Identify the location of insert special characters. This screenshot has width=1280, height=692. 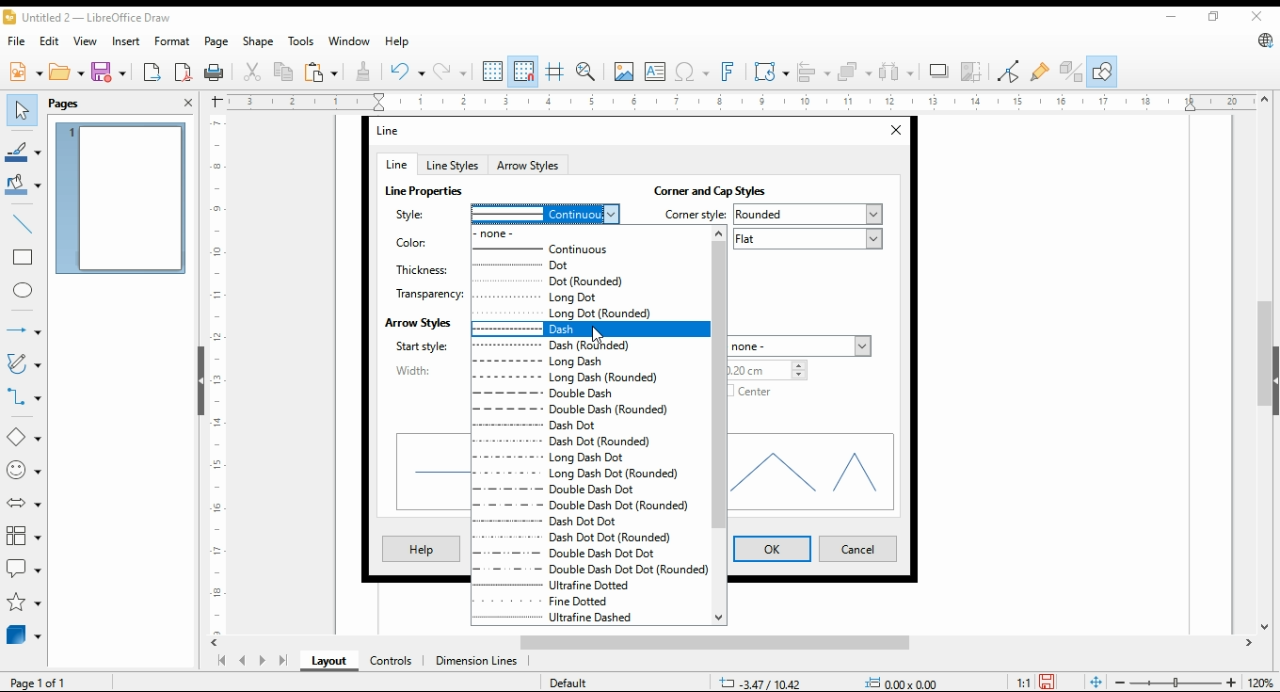
(690, 72).